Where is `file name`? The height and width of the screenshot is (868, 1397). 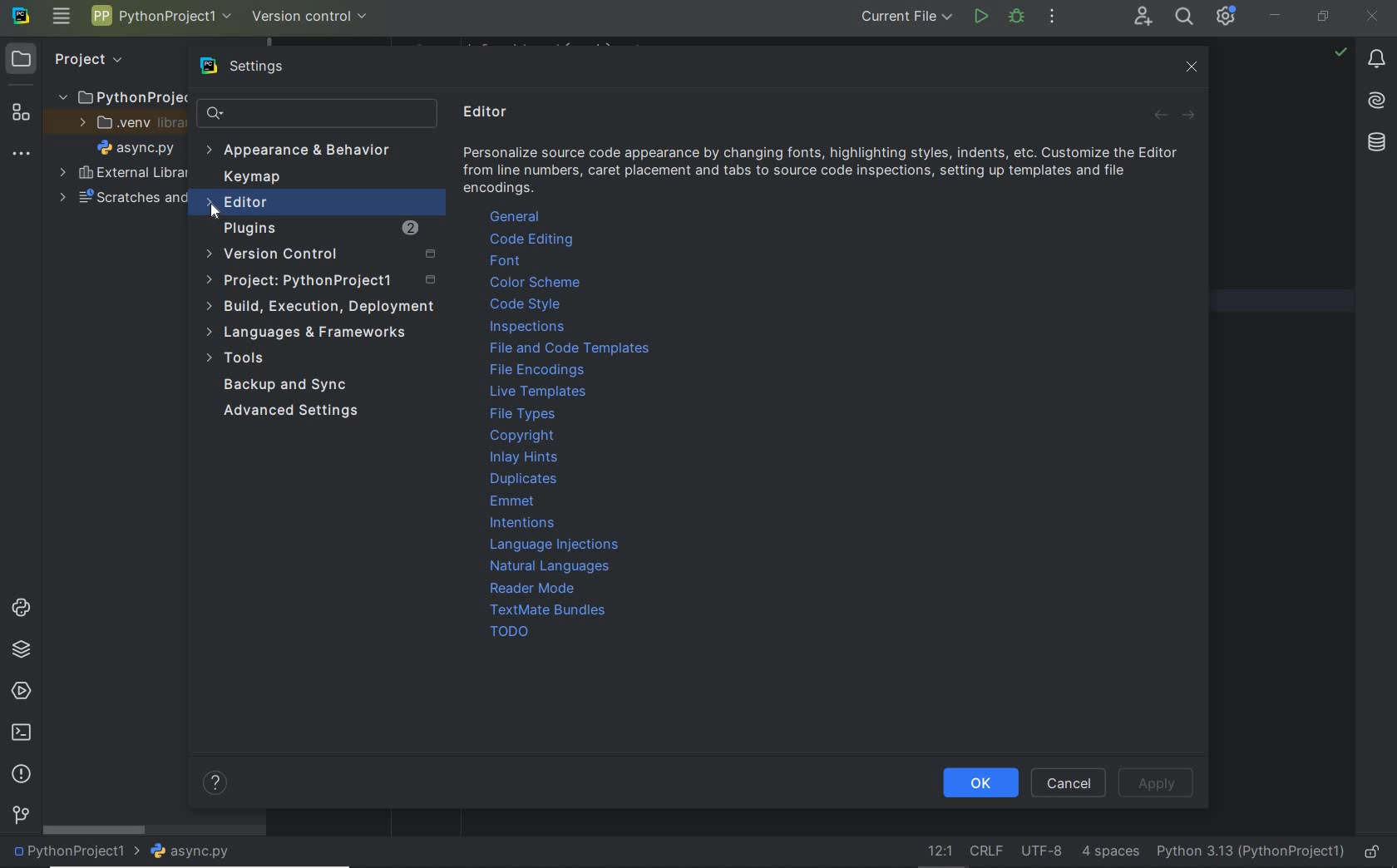
file name is located at coordinates (140, 150).